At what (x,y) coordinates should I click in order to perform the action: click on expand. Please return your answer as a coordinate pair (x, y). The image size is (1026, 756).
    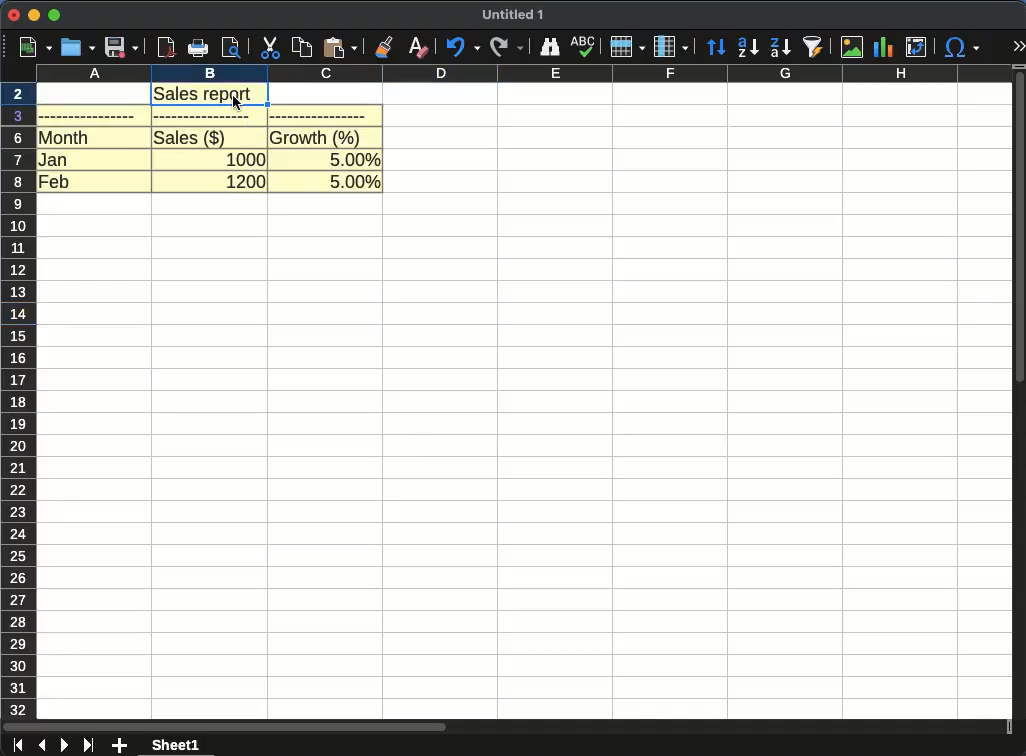
    Looking at the image, I should click on (1018, 47).